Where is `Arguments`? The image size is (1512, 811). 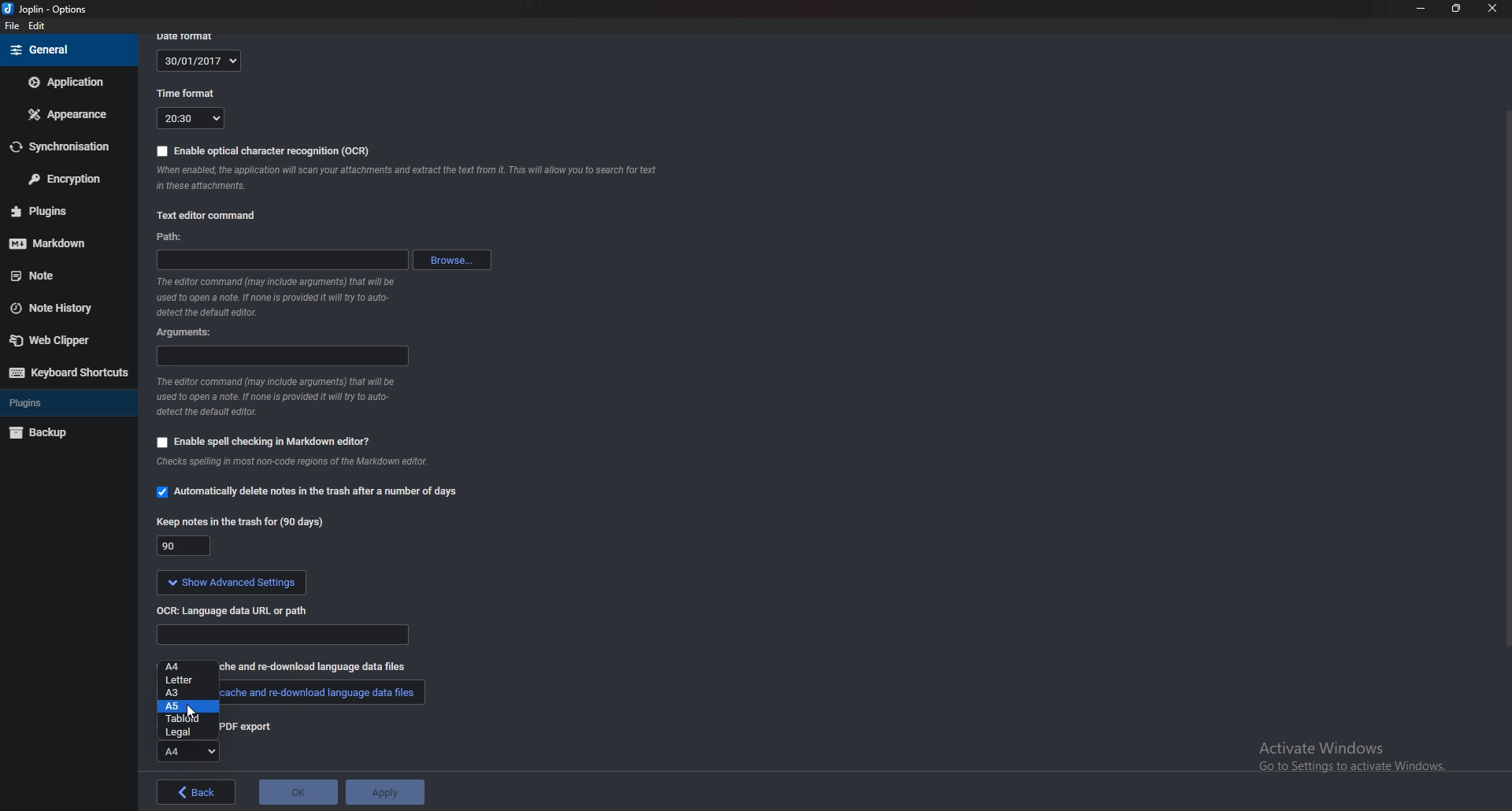
Arguments is located at coordinates (191, 333).